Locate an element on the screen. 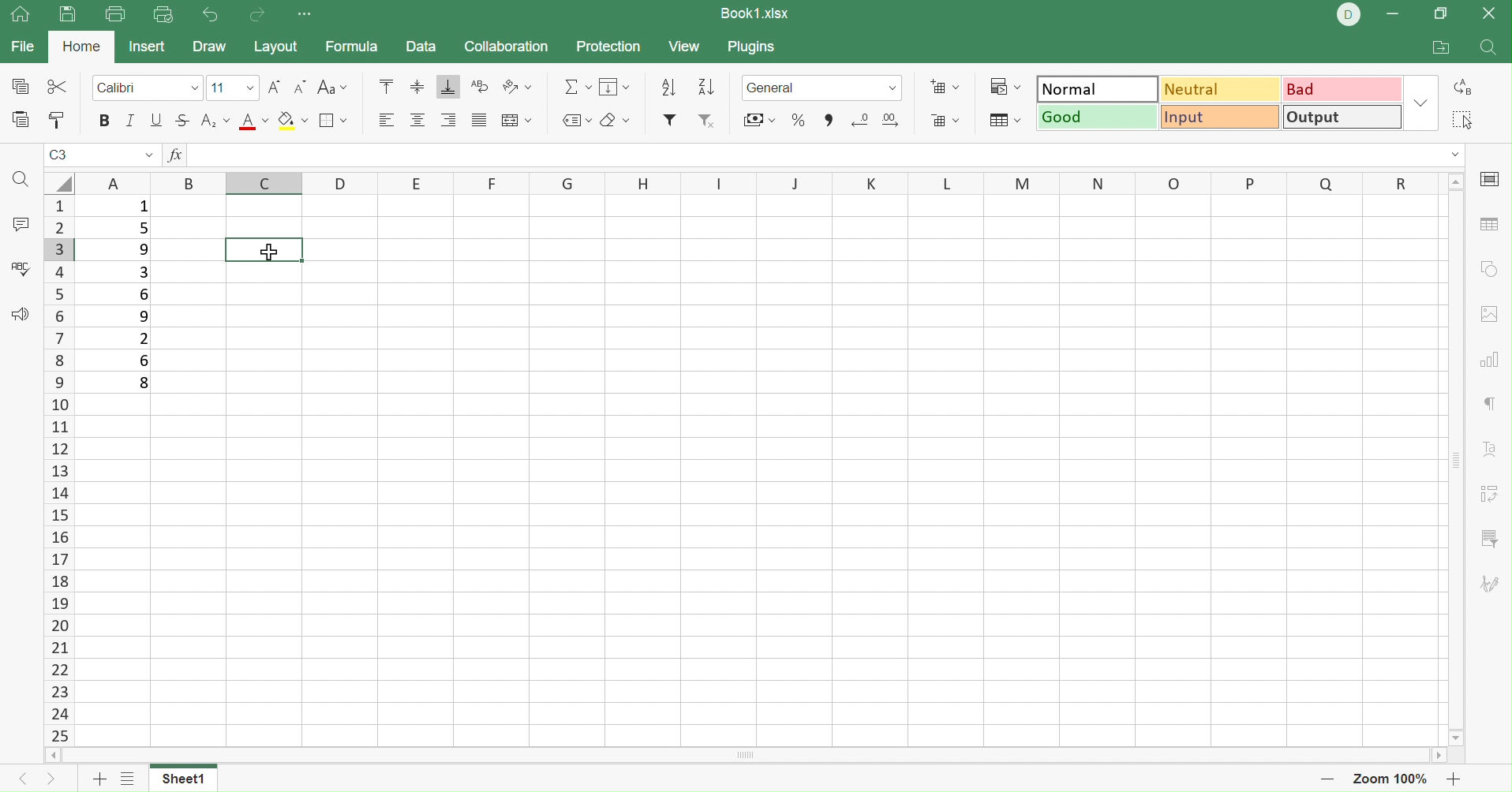 Image resolution: width=1512 pixels, height=792 pixels. Good is located at coordinates (1096, 117).